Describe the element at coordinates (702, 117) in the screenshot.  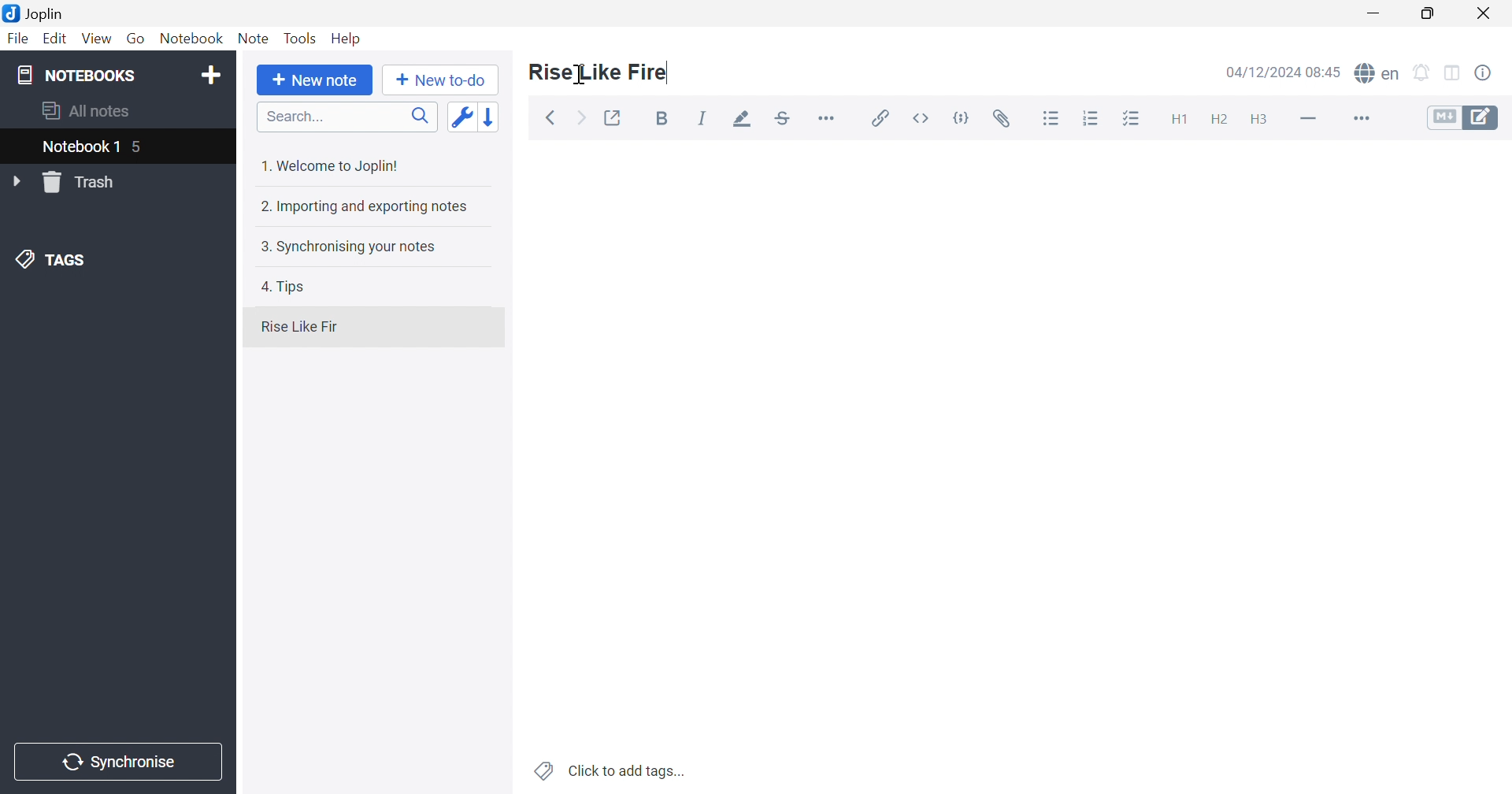
I see `Italic` at that location.